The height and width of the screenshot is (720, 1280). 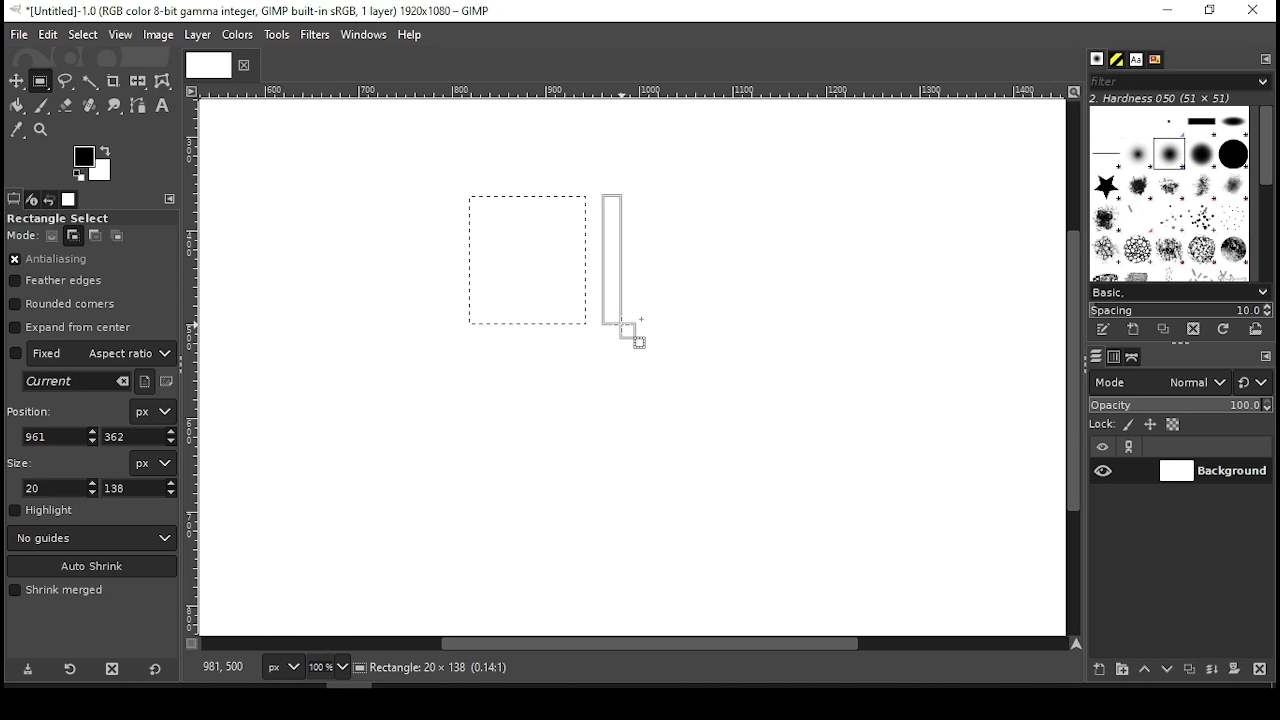 What do you see at coordinates (56, 590) in the screenshot?
I see `shrink merged` at bounding box center [56, 590].